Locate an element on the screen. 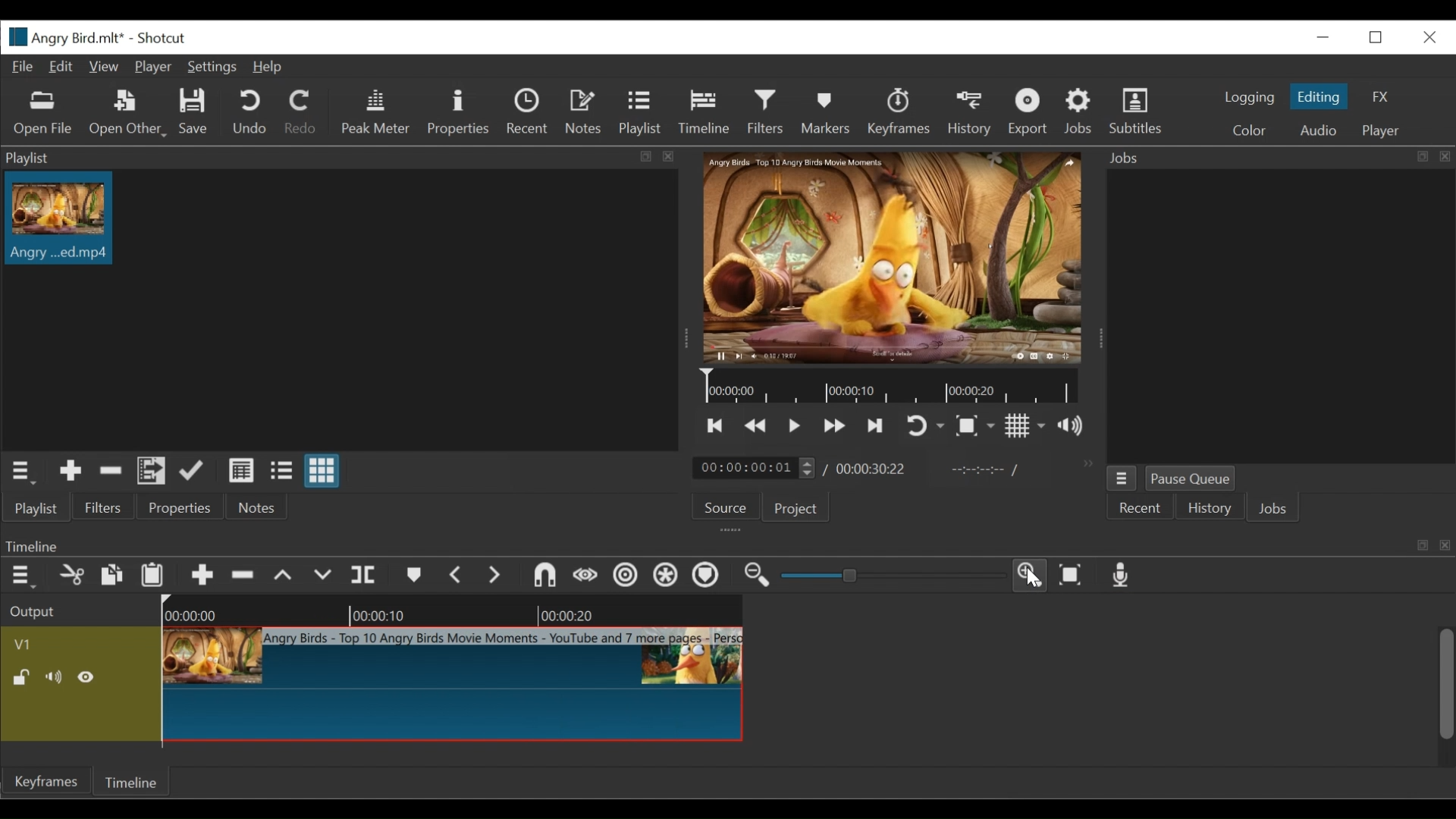 This screenshot has width=1456, height=819. Vertical Scroll bar is located at coordinates (1445, 684).